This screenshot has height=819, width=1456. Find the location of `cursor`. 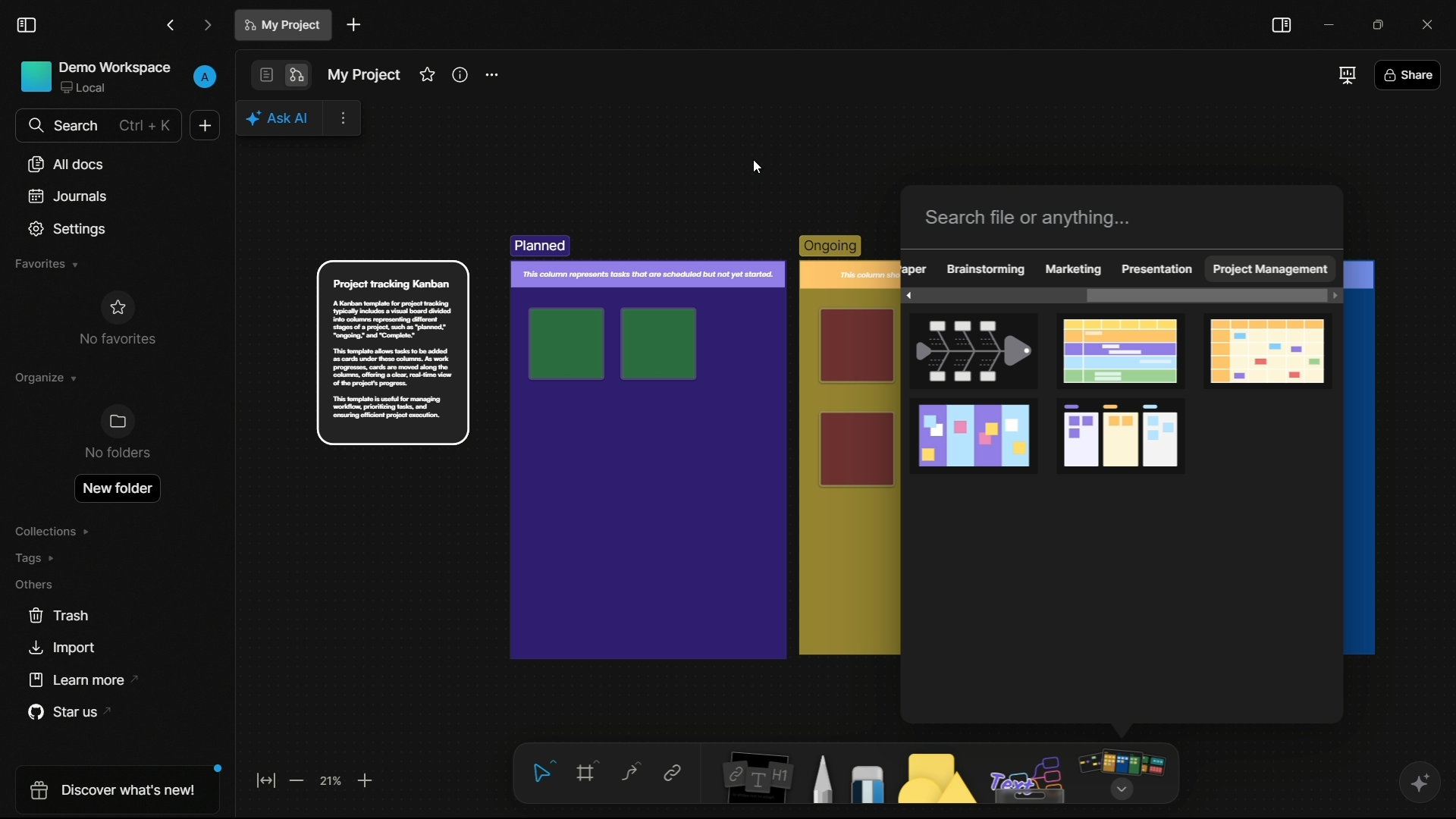

cursor is located at coordinates (758, 168).